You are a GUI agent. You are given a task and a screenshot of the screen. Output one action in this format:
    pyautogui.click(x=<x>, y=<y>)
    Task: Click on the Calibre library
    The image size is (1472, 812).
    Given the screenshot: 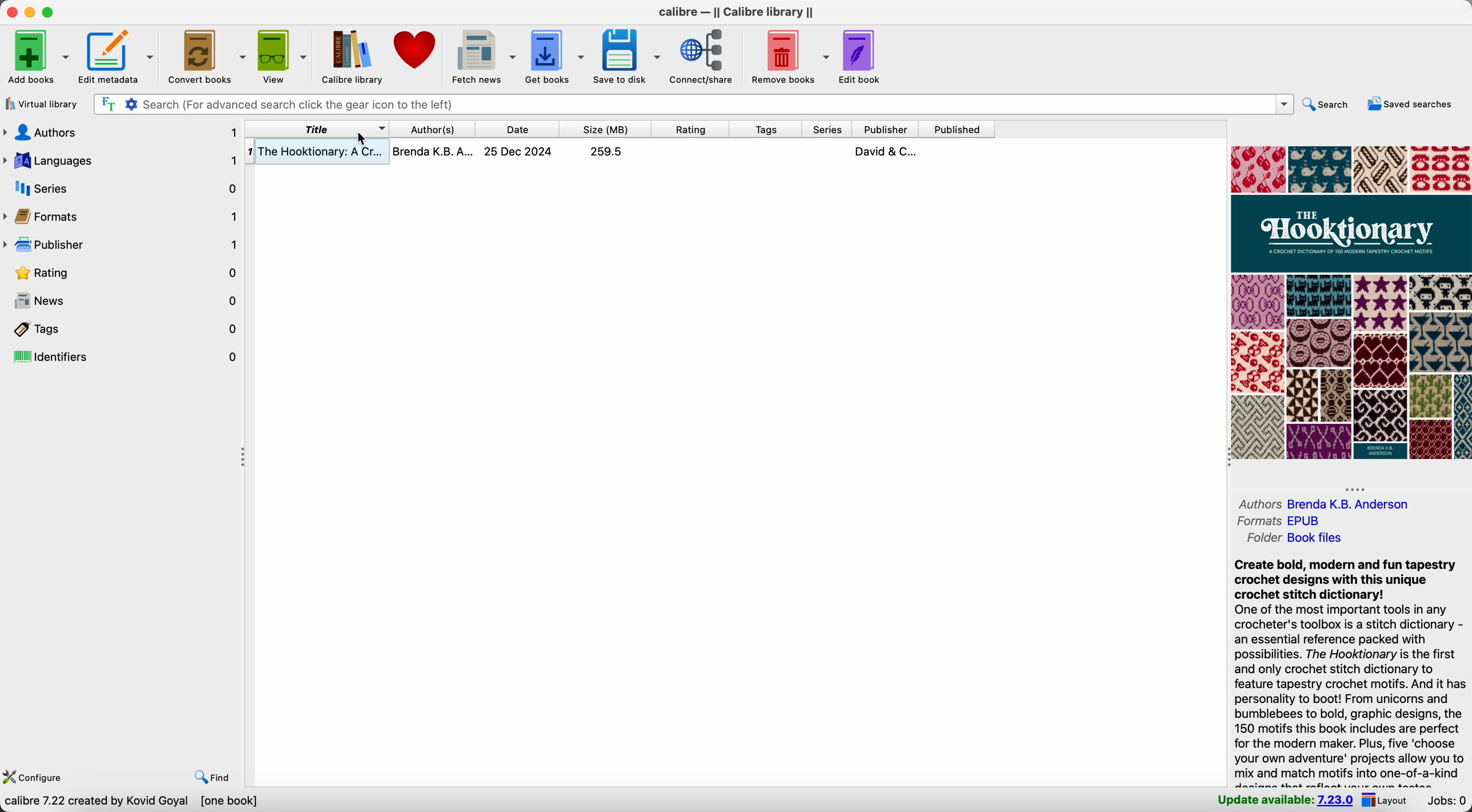 What is the action you would take?
    pyautogui.click(x=351, y=55)
    